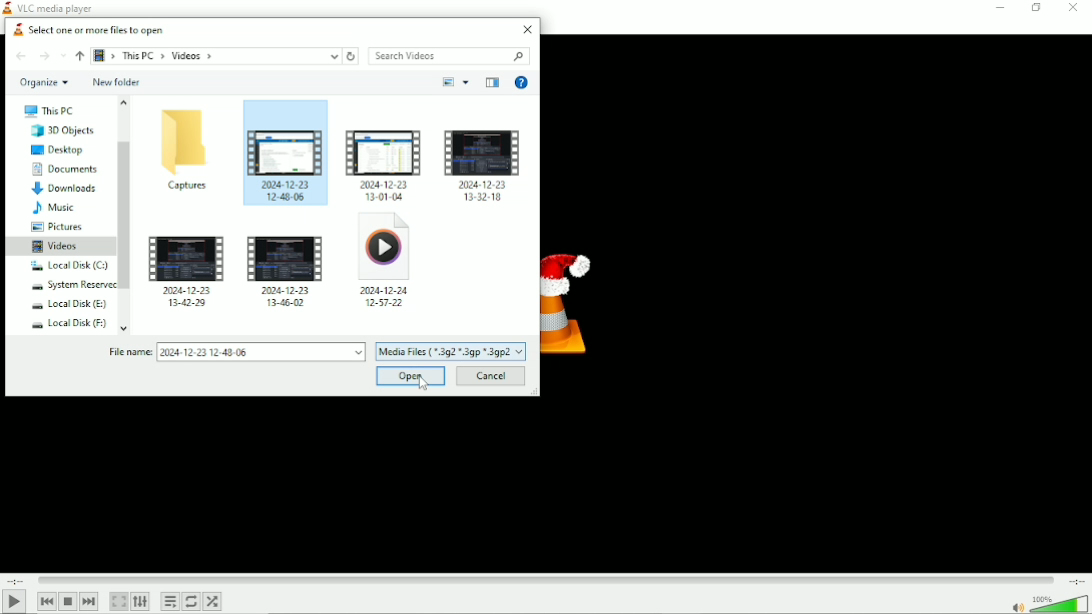 The image size is (1092, 614). Describe the element at coordinates (64, 305) in the screenshot. I see `Local Disk(E:)` at that location.